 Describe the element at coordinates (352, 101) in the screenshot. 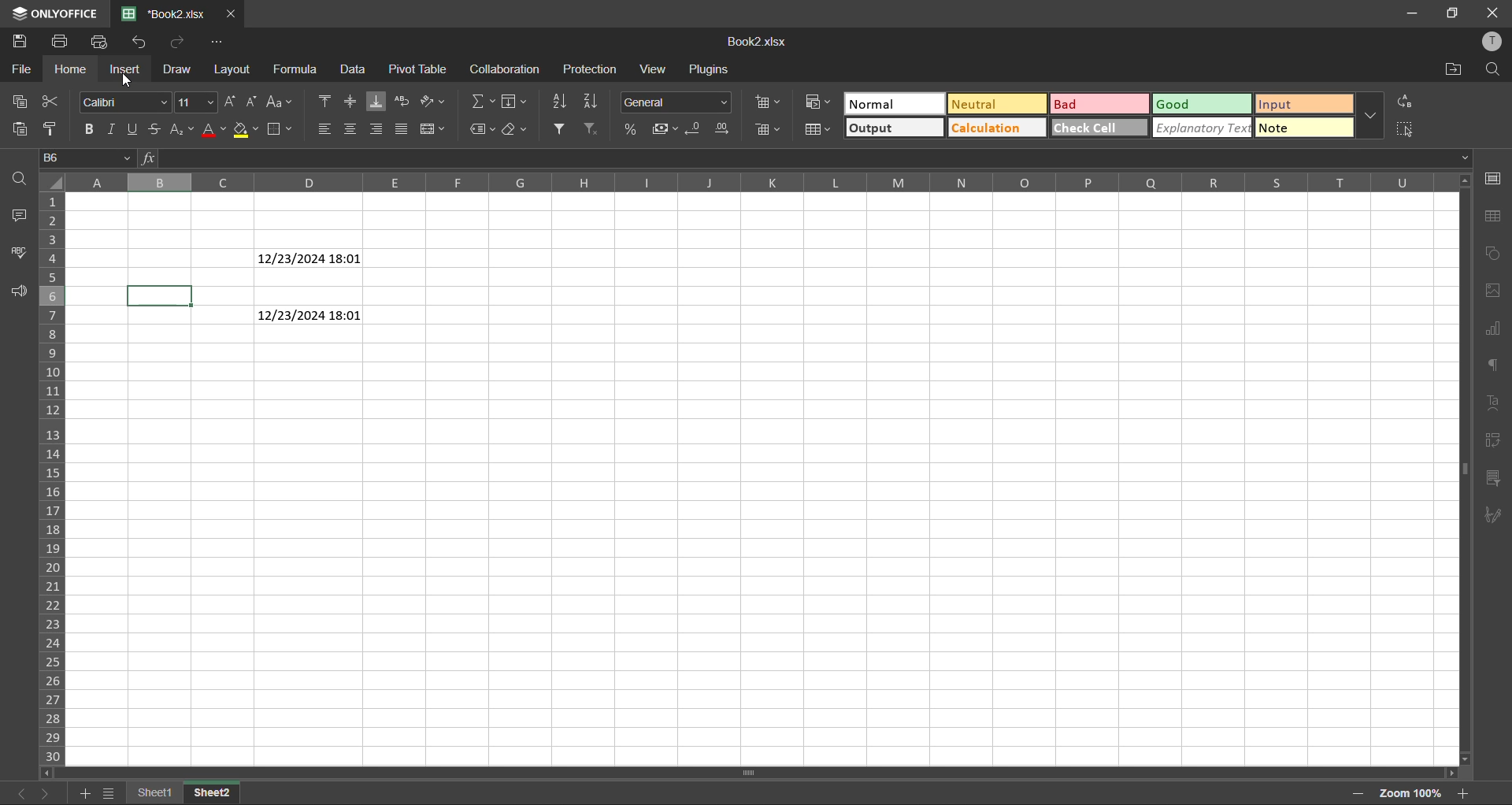

I see `align middle` at that location.